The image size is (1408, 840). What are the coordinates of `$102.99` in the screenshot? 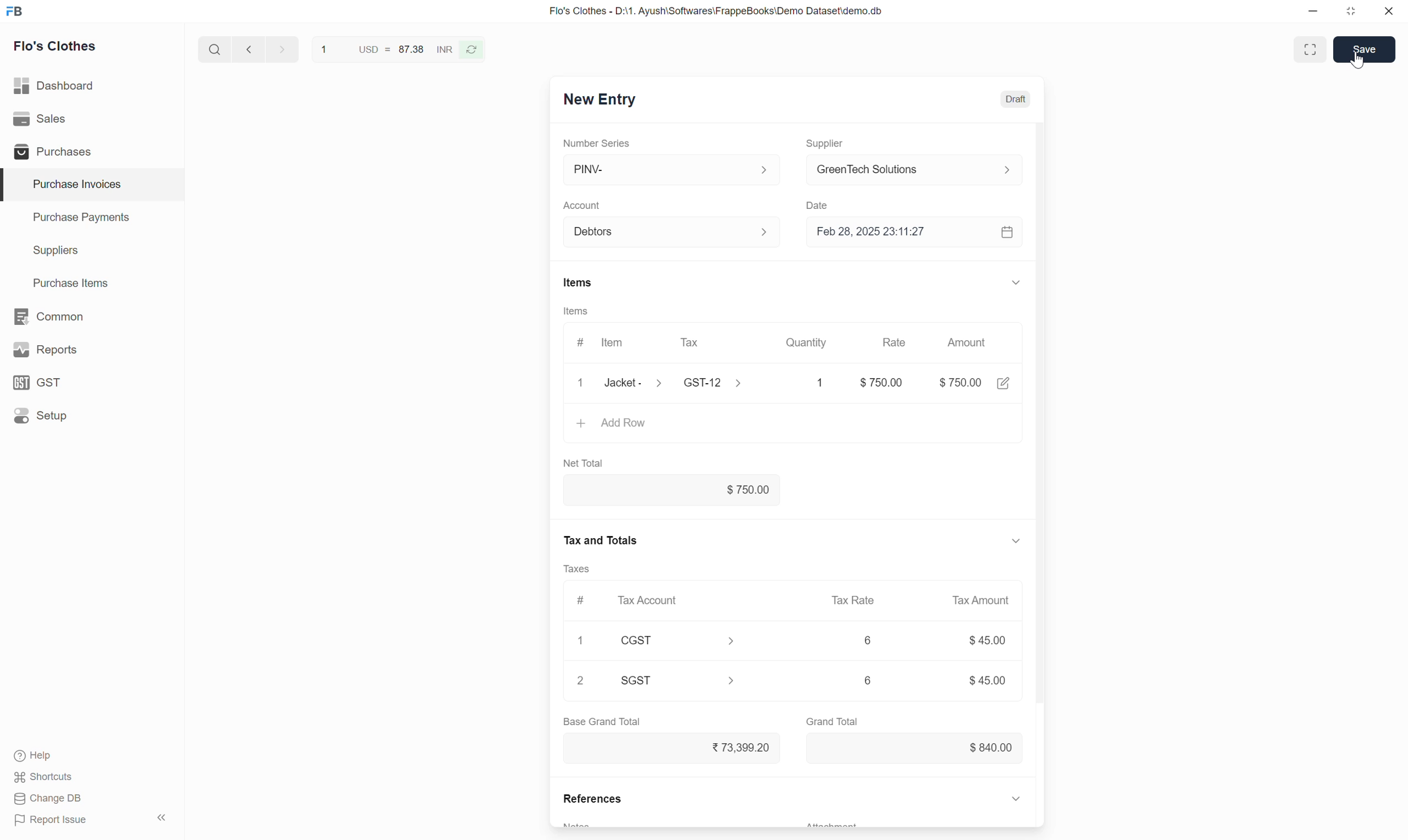 It's located at (672, 490).